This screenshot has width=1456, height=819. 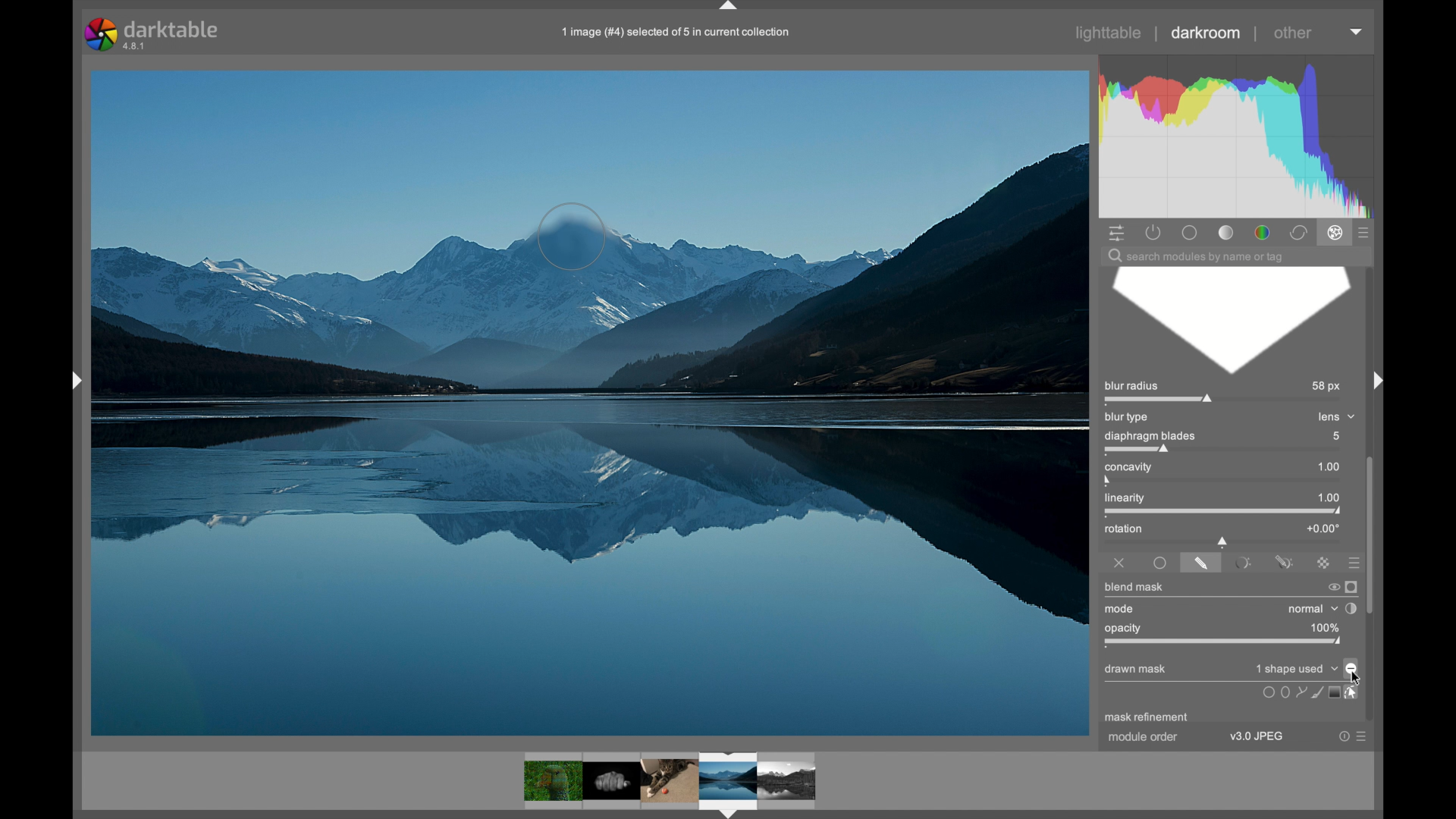 I want to click on rastermask, so click(x=1323, y=561).